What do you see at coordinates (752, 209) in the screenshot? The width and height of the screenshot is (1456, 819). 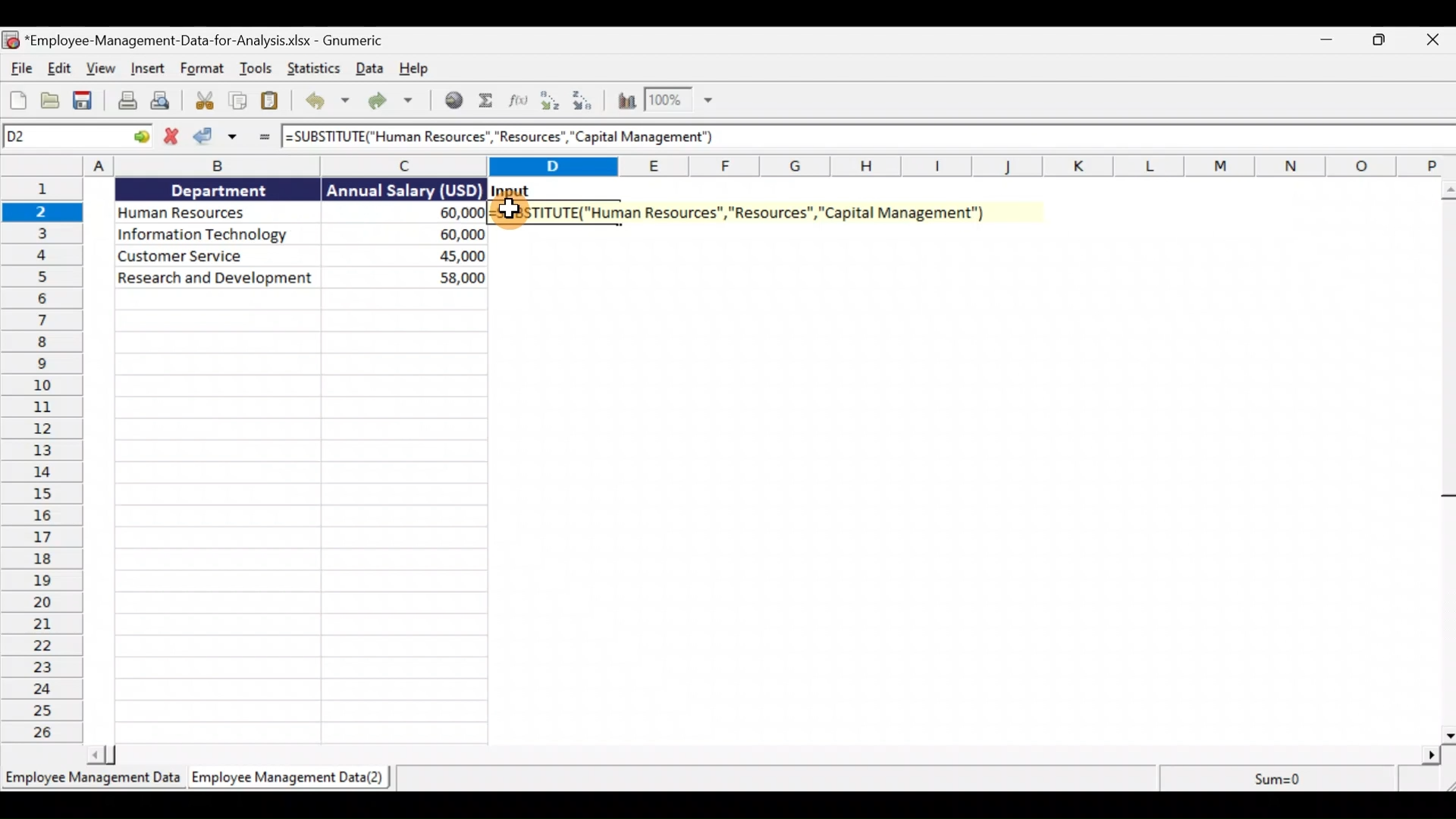 I see `=SUBSTITUTE("Human Resources","Resources","Capital Management")` at bounding box center [752, 209].